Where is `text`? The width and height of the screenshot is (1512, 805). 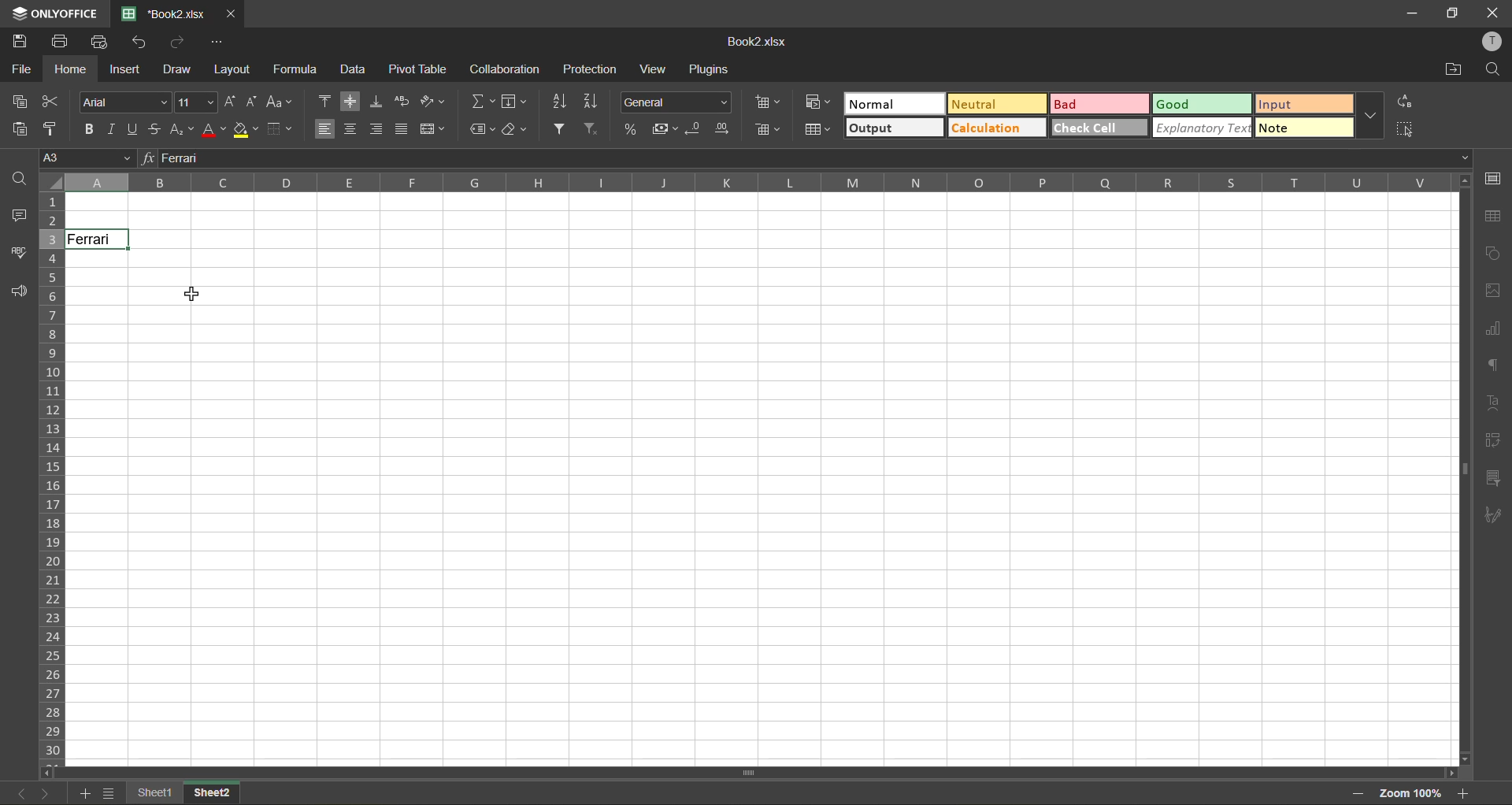
text is located at coordinates (1489, 401).